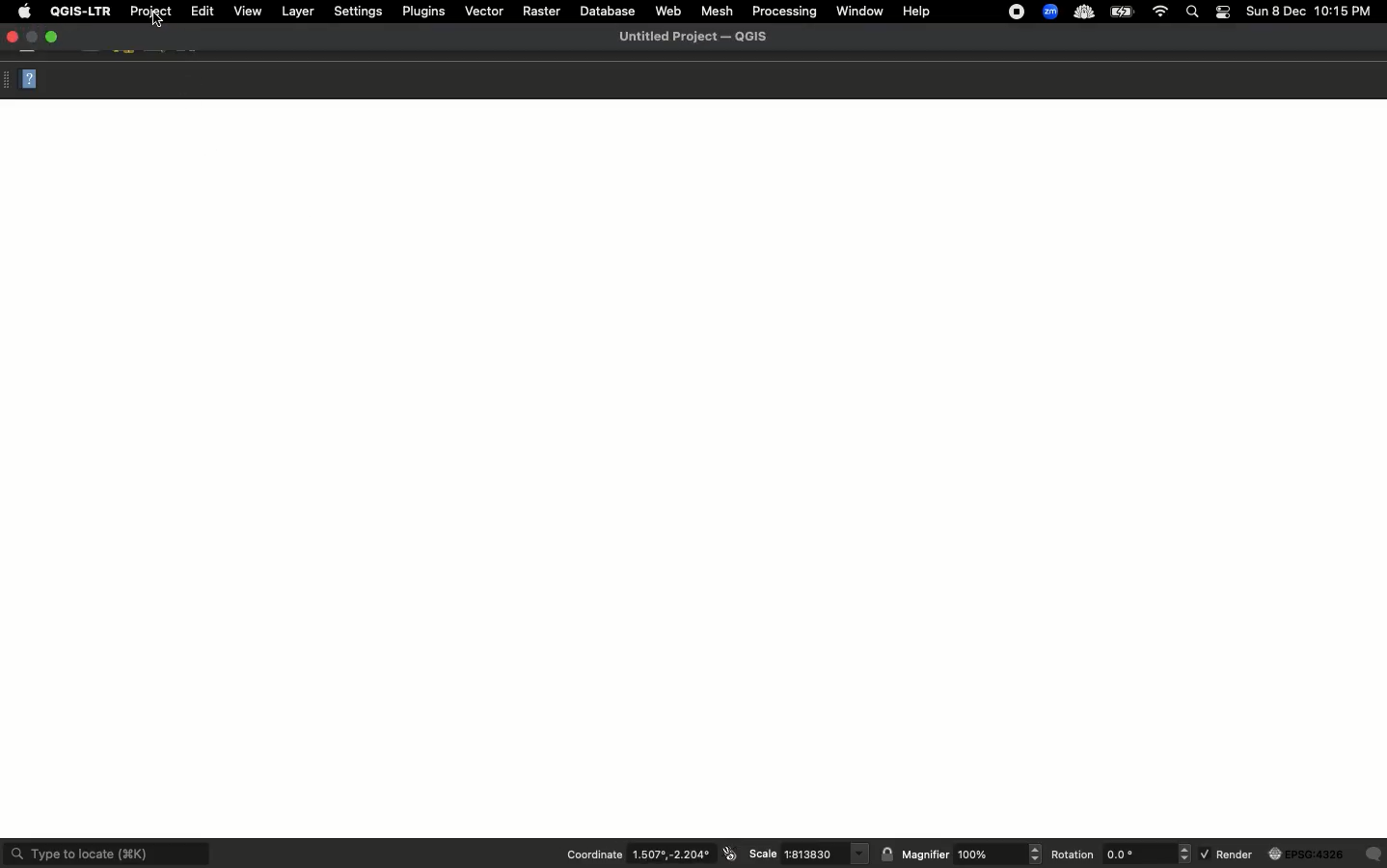  I want to click on Web, so click(669, 10).